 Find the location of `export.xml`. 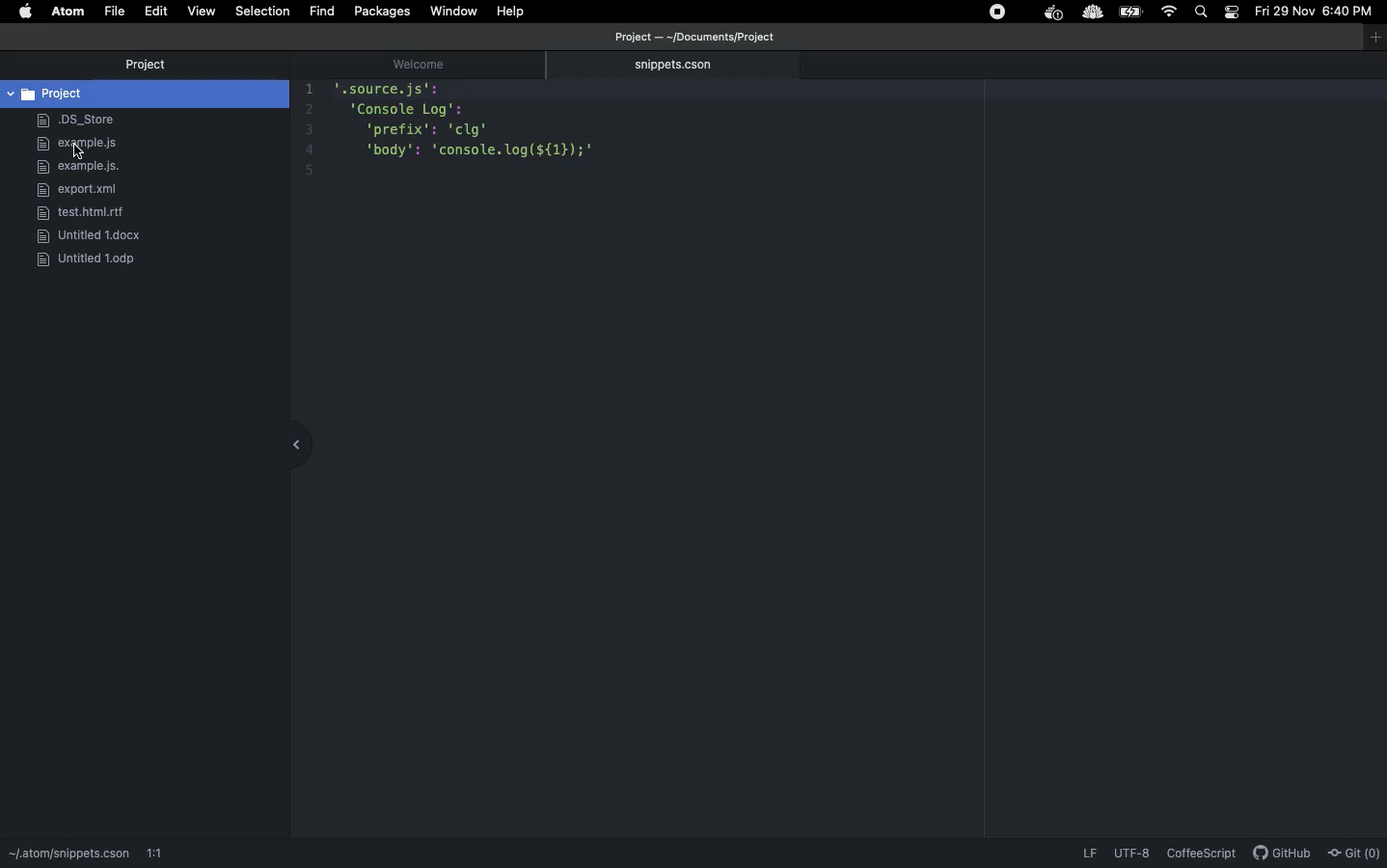

export.xml is located at coordinates (80, 191).